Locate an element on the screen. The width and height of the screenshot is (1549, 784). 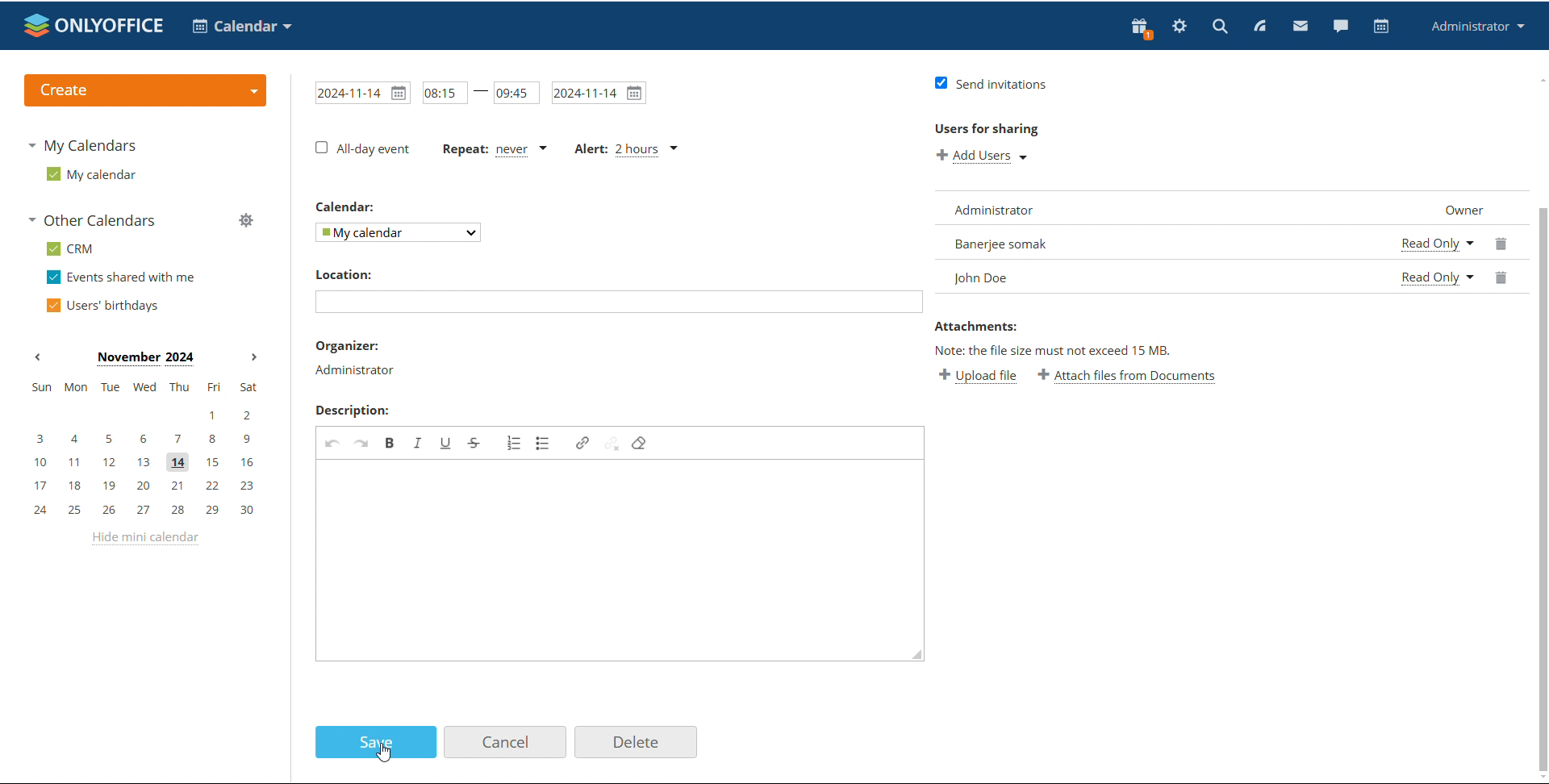
Vertical scroll bar is located at coordinates (1543, 488).